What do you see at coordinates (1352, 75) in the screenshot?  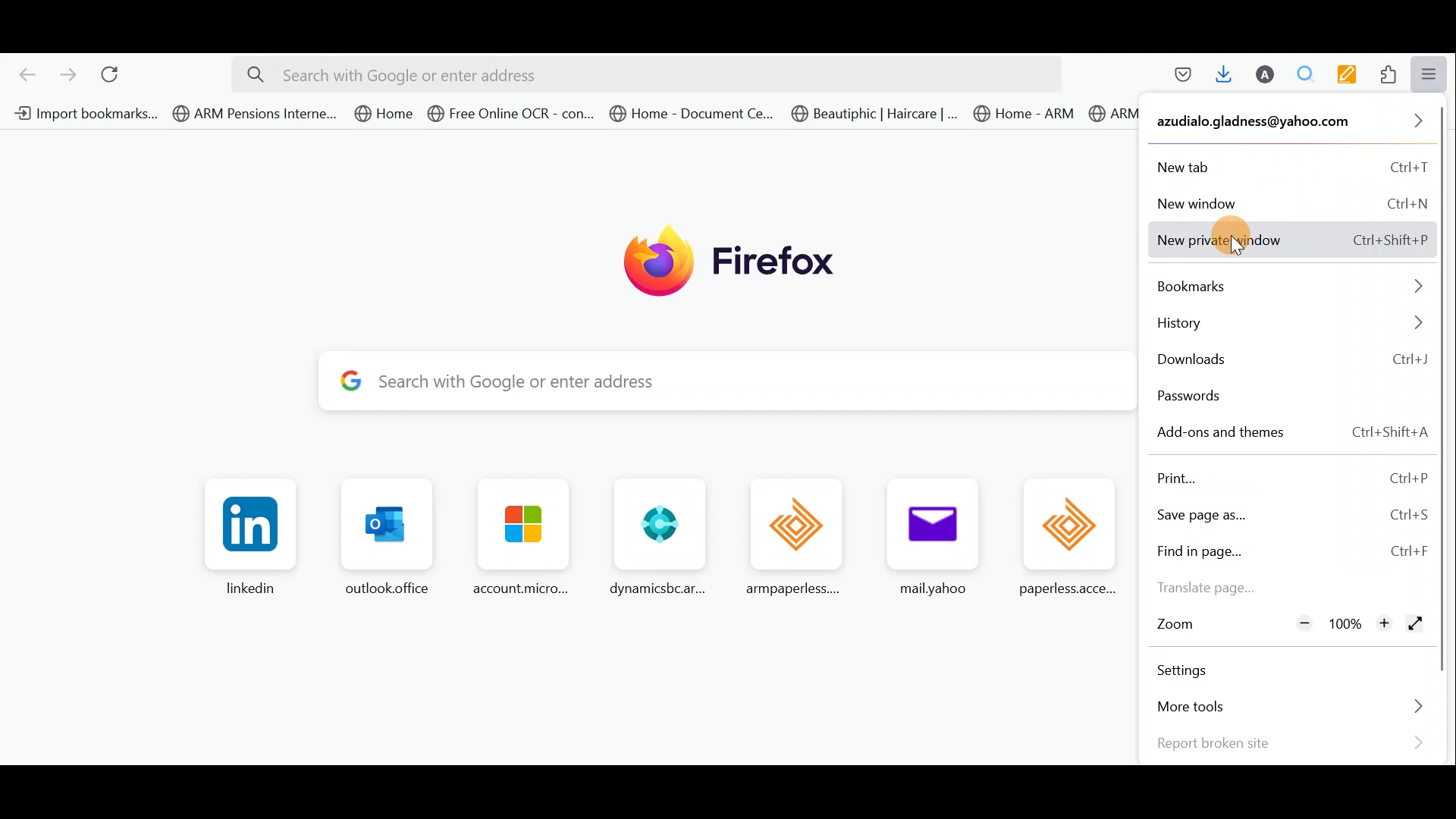 I see `Multi keyword highlighter` at bounding box center [1352, 75].